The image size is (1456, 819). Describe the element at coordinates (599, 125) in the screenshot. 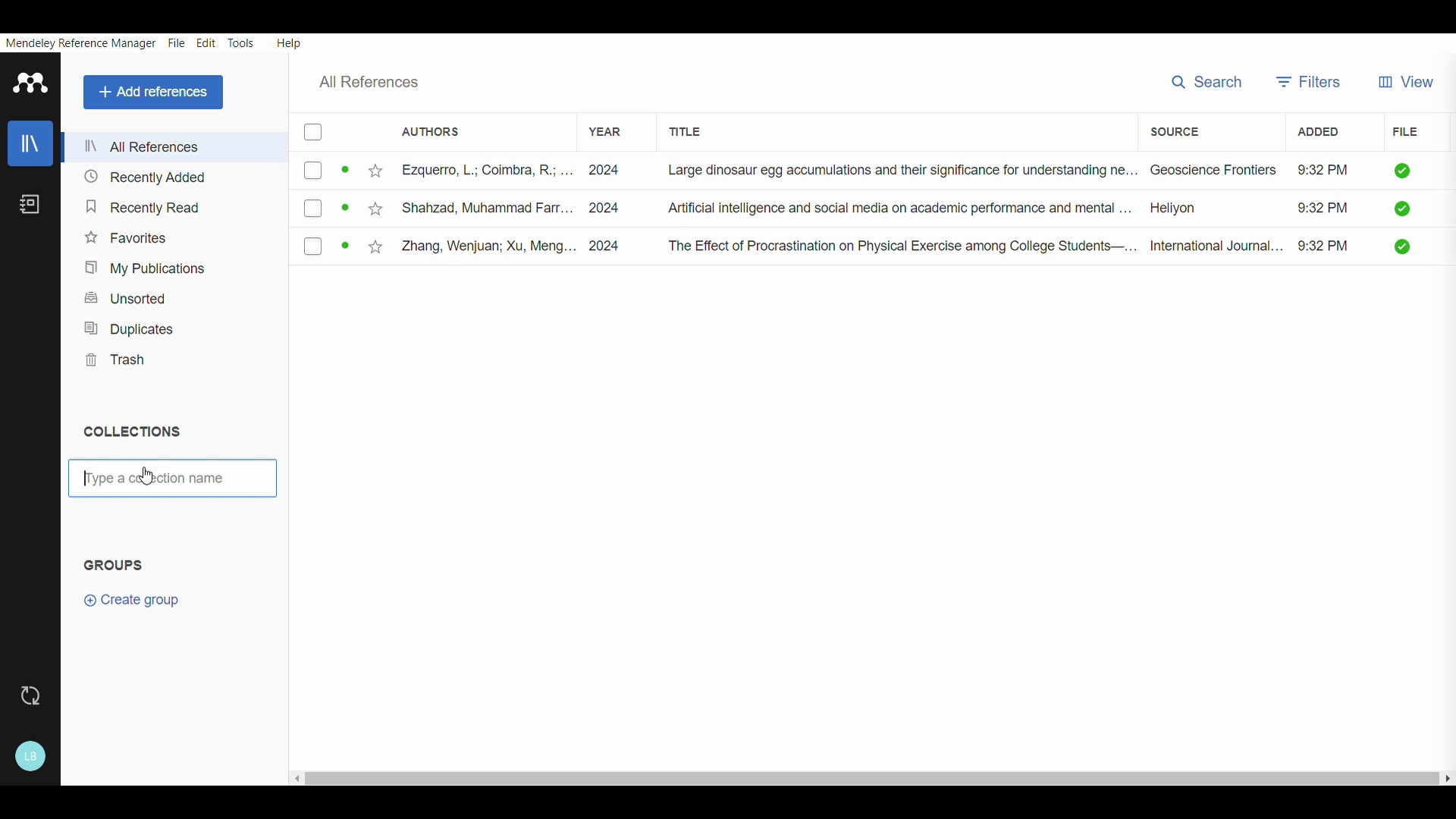

I see `YEAR` at that location.